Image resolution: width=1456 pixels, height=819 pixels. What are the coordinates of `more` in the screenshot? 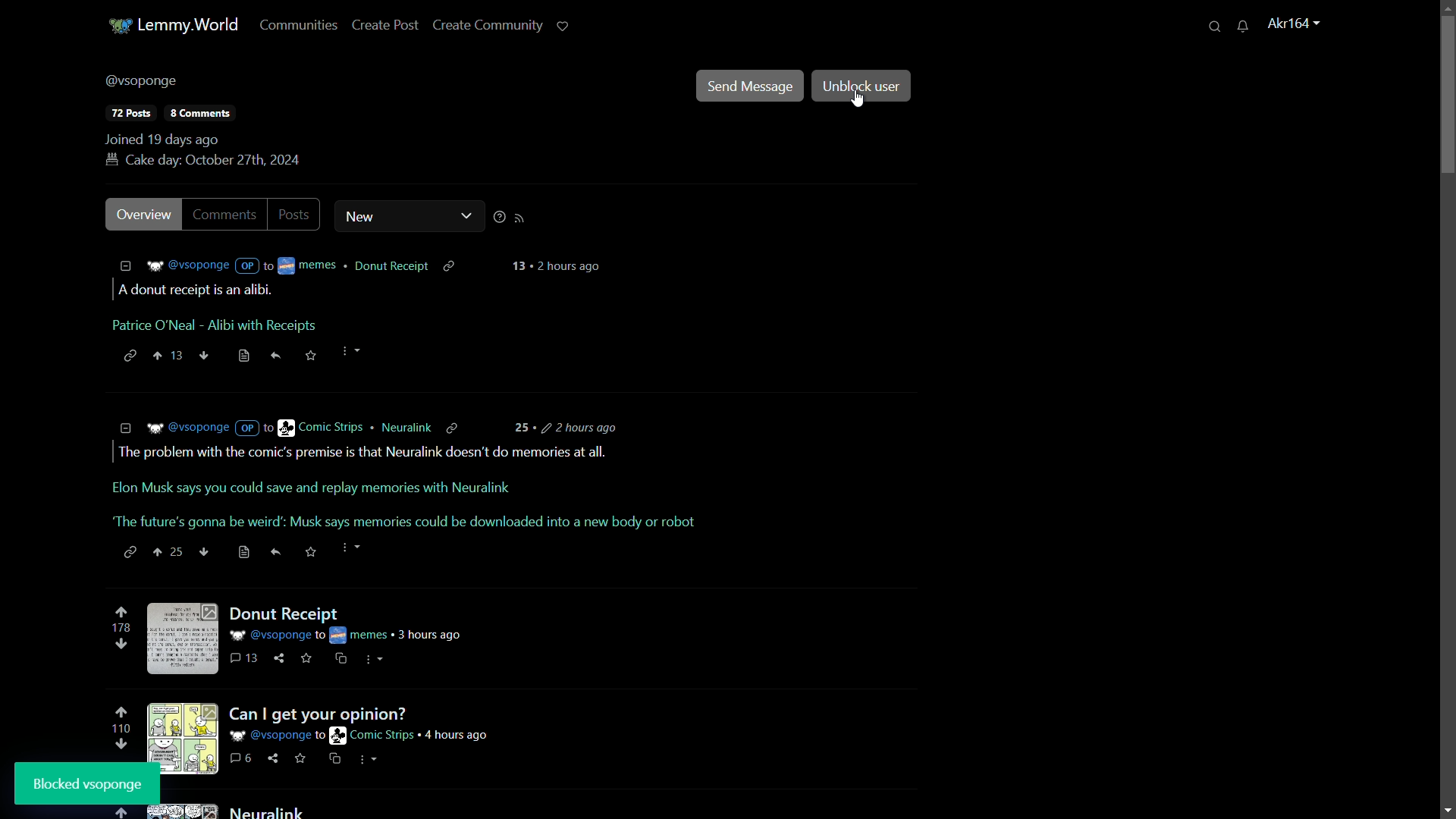 It's located at (375, 662).